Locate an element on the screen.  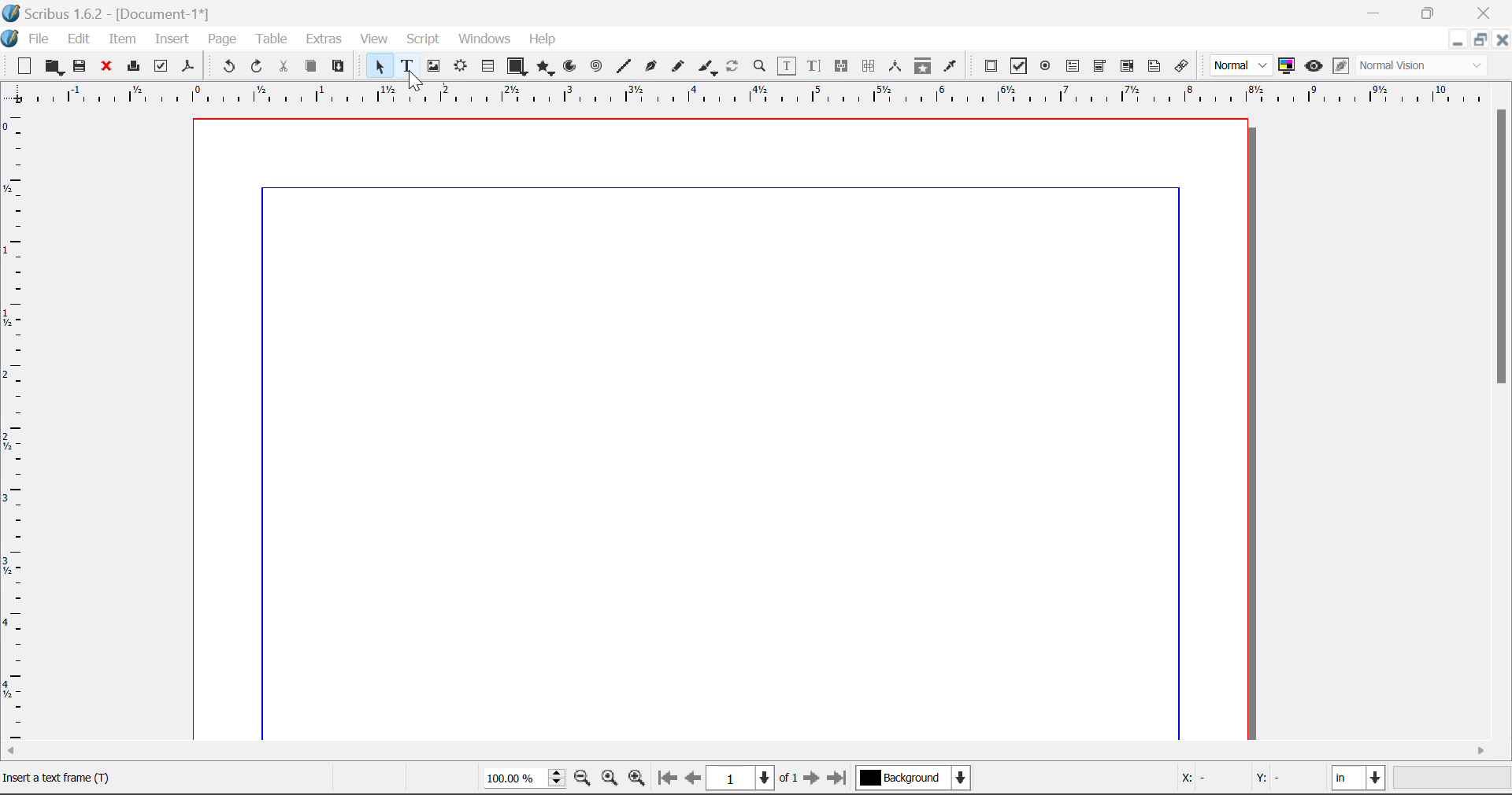
Edit Text With Story Editor is located at coordinates (813, 67).